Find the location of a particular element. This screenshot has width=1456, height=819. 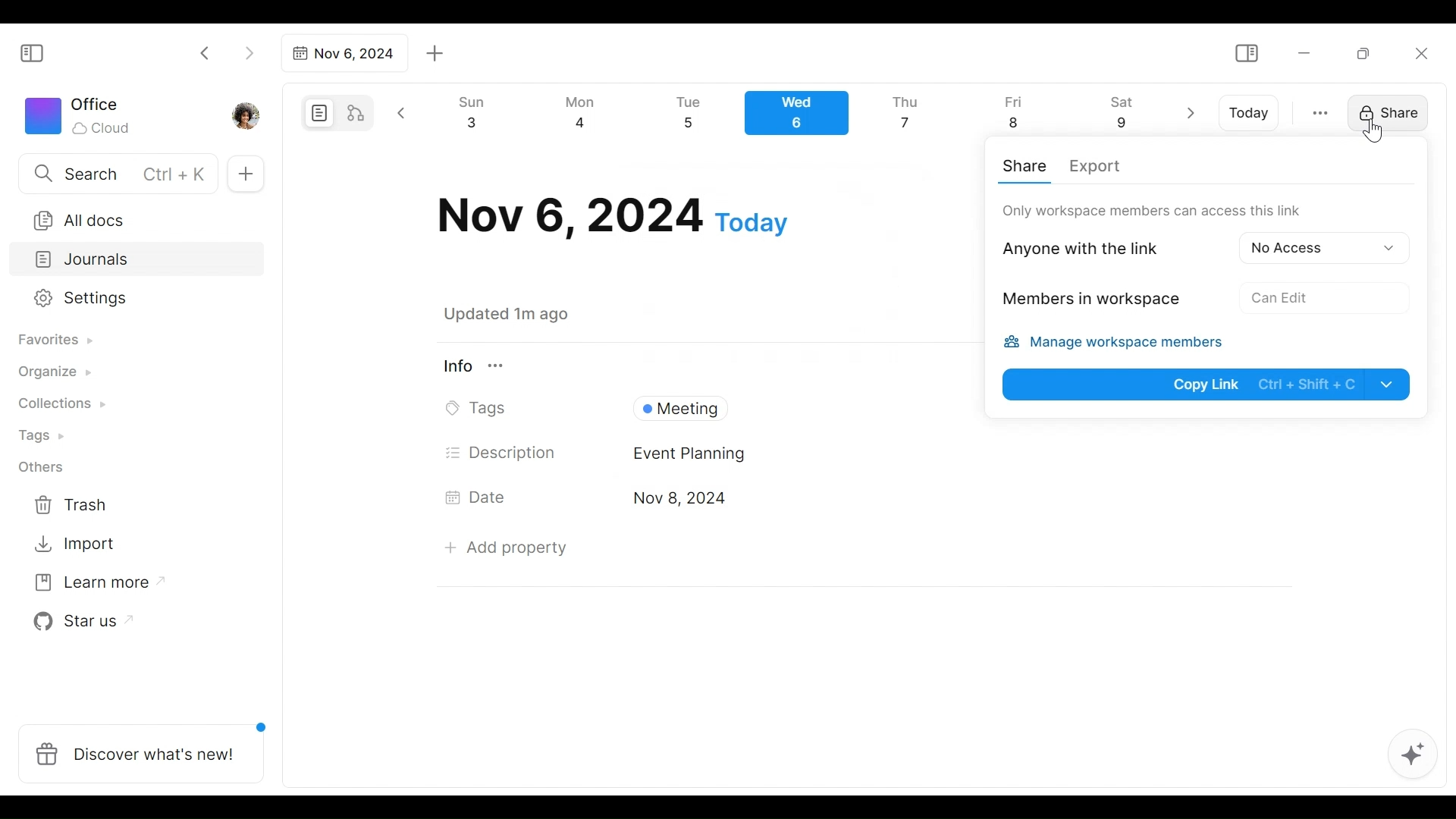

Anyone with thelink is located at coordinates (1094, 247).